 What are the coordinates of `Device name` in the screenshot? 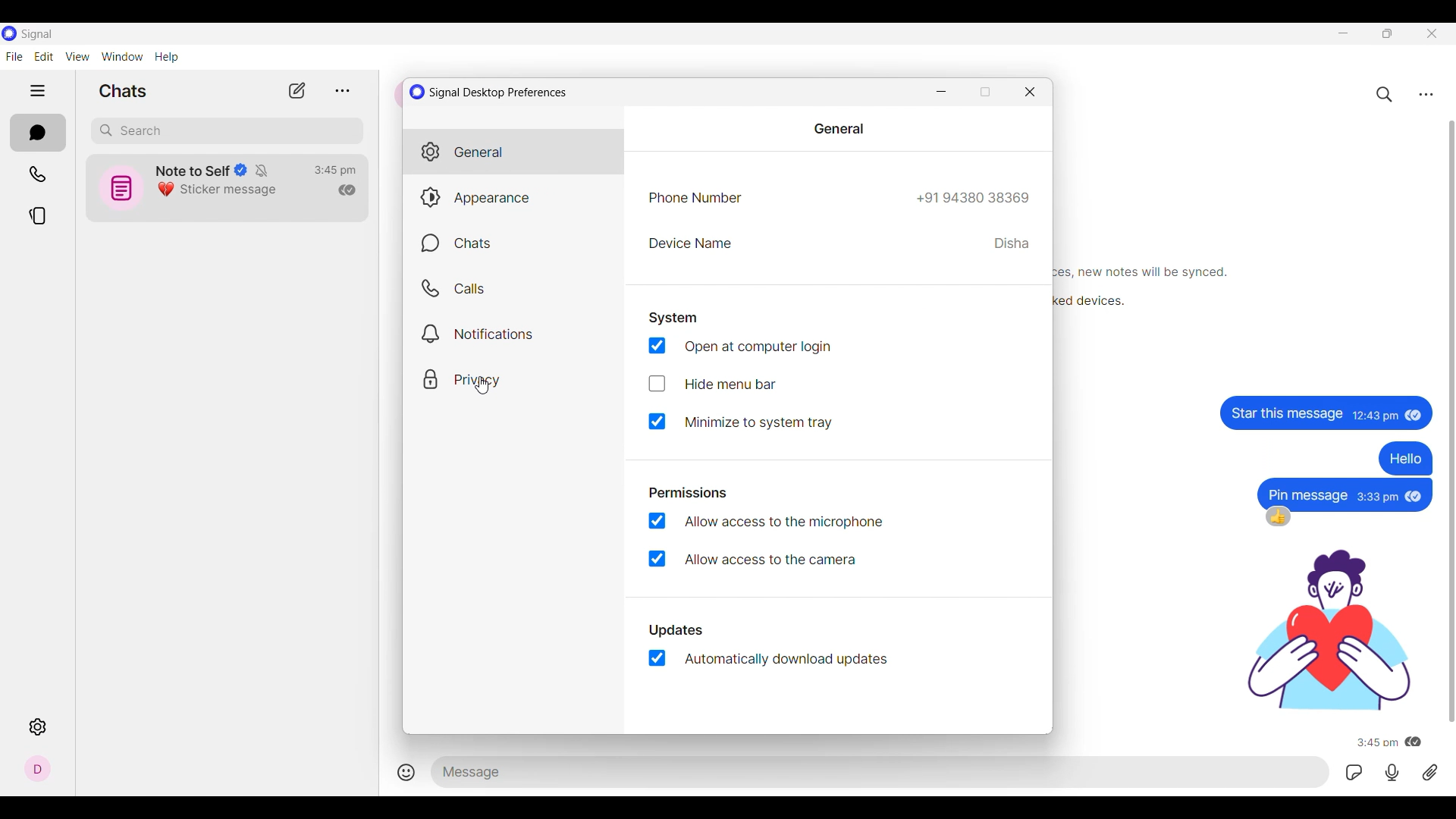 It's located at (837, 243).